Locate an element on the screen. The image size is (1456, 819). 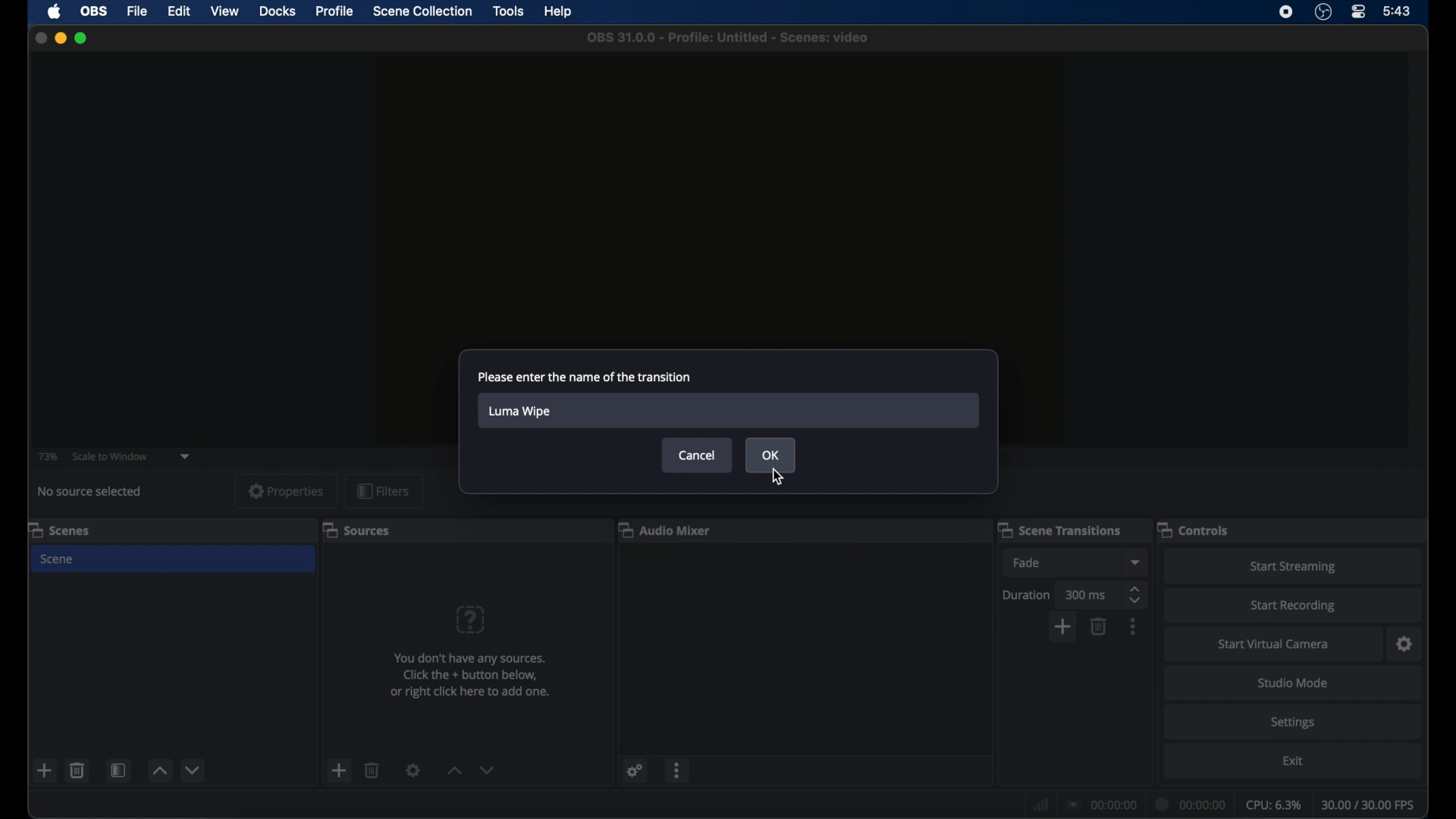
scene filters is located at coordinates (118, 770).